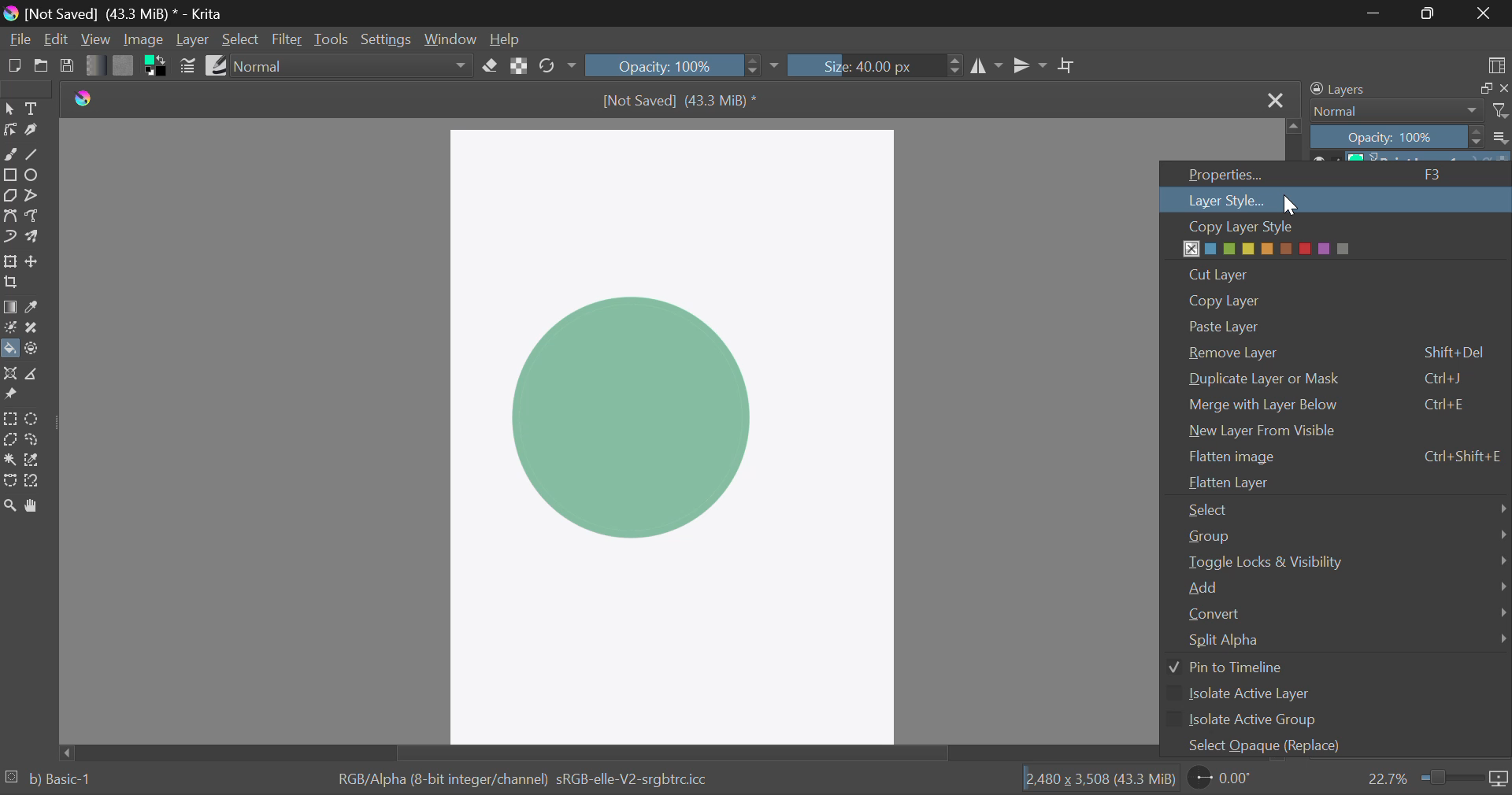  What do you see at coordinates (1333, 275) in the screenshot?
I see `Cut Layer` at bounding box center [1333, 275].